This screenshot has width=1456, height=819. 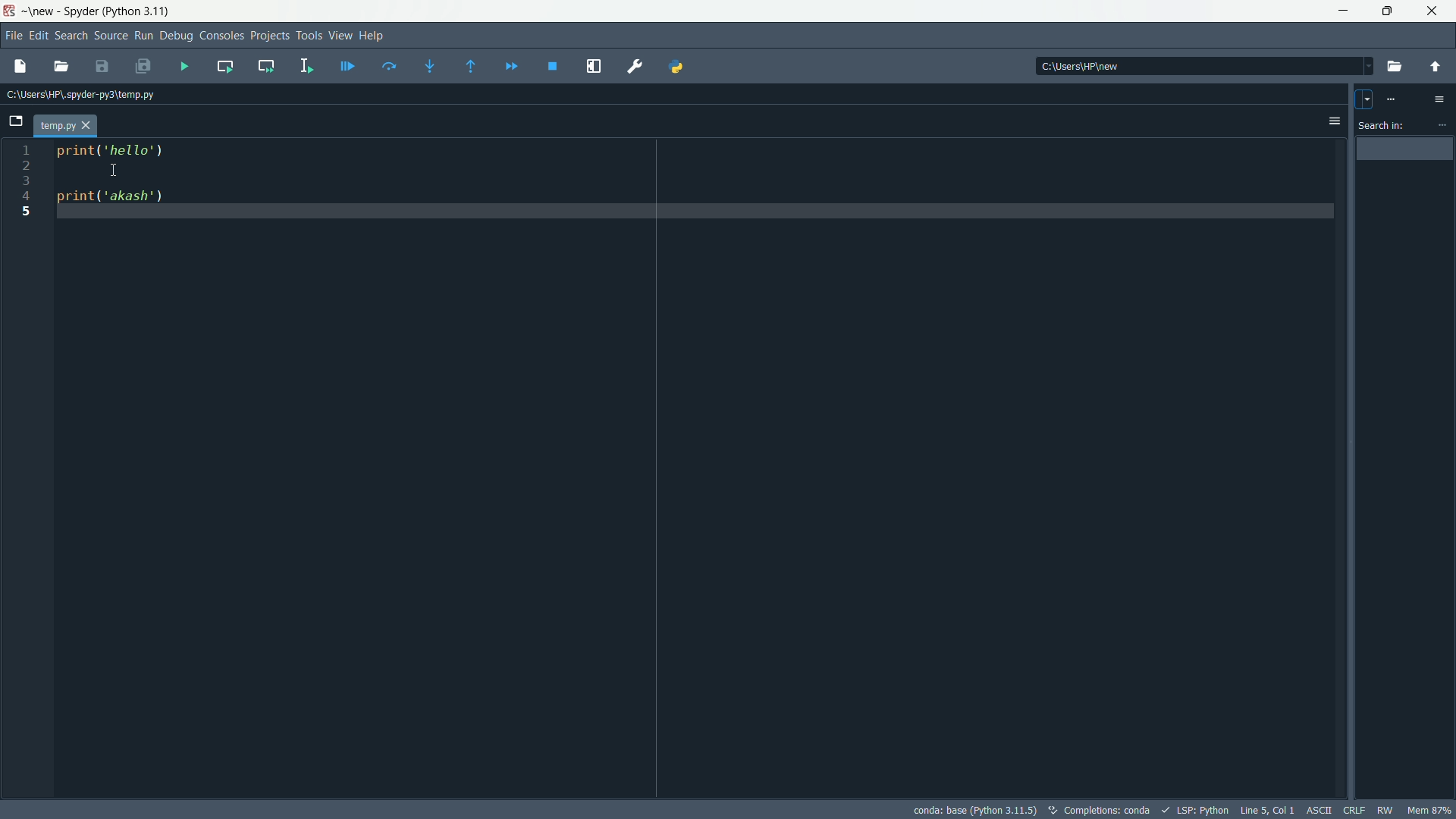 I want to click on close app, so click(x=1437, y=11).